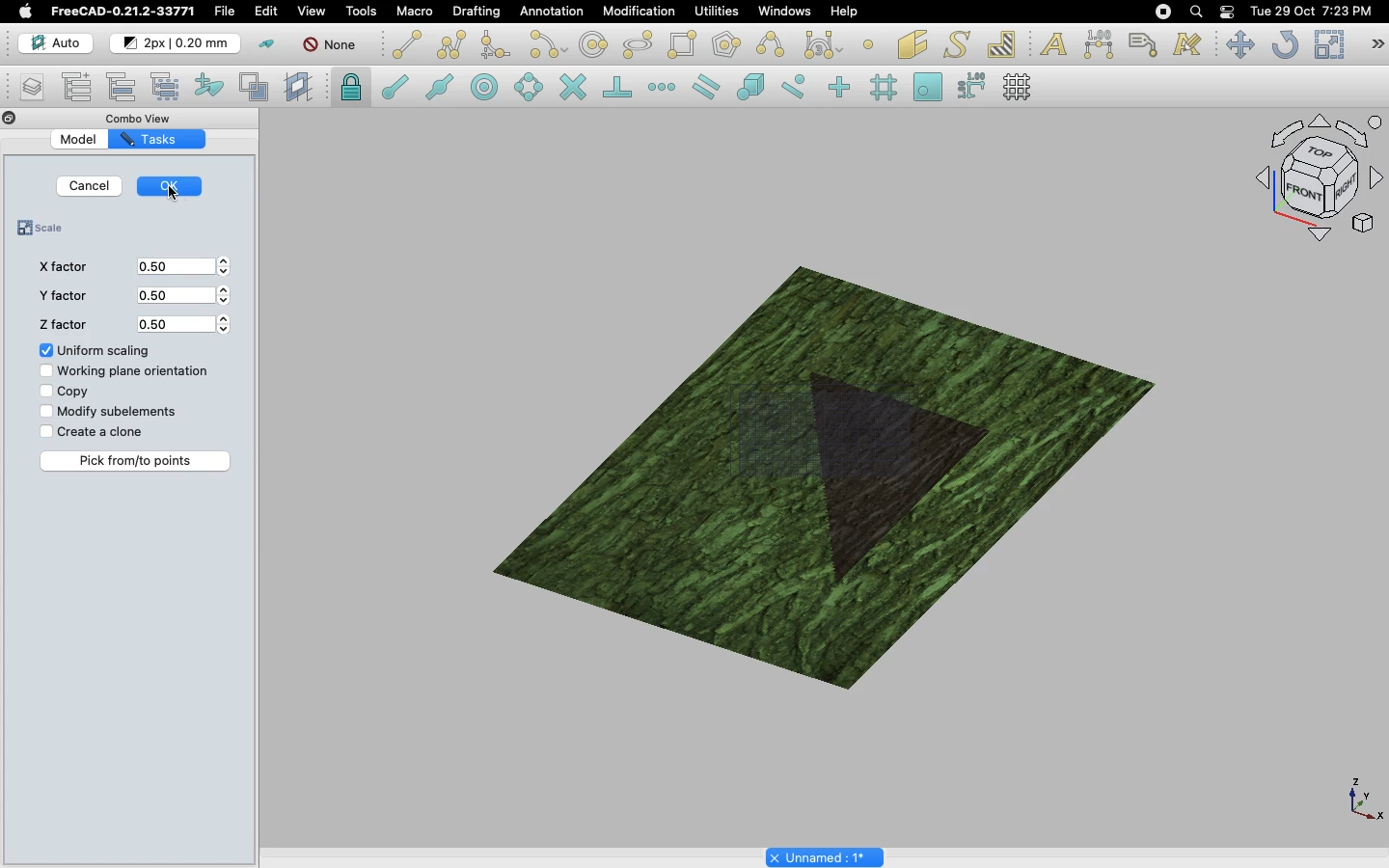  I want to click on Polyline, so click(451, 44).